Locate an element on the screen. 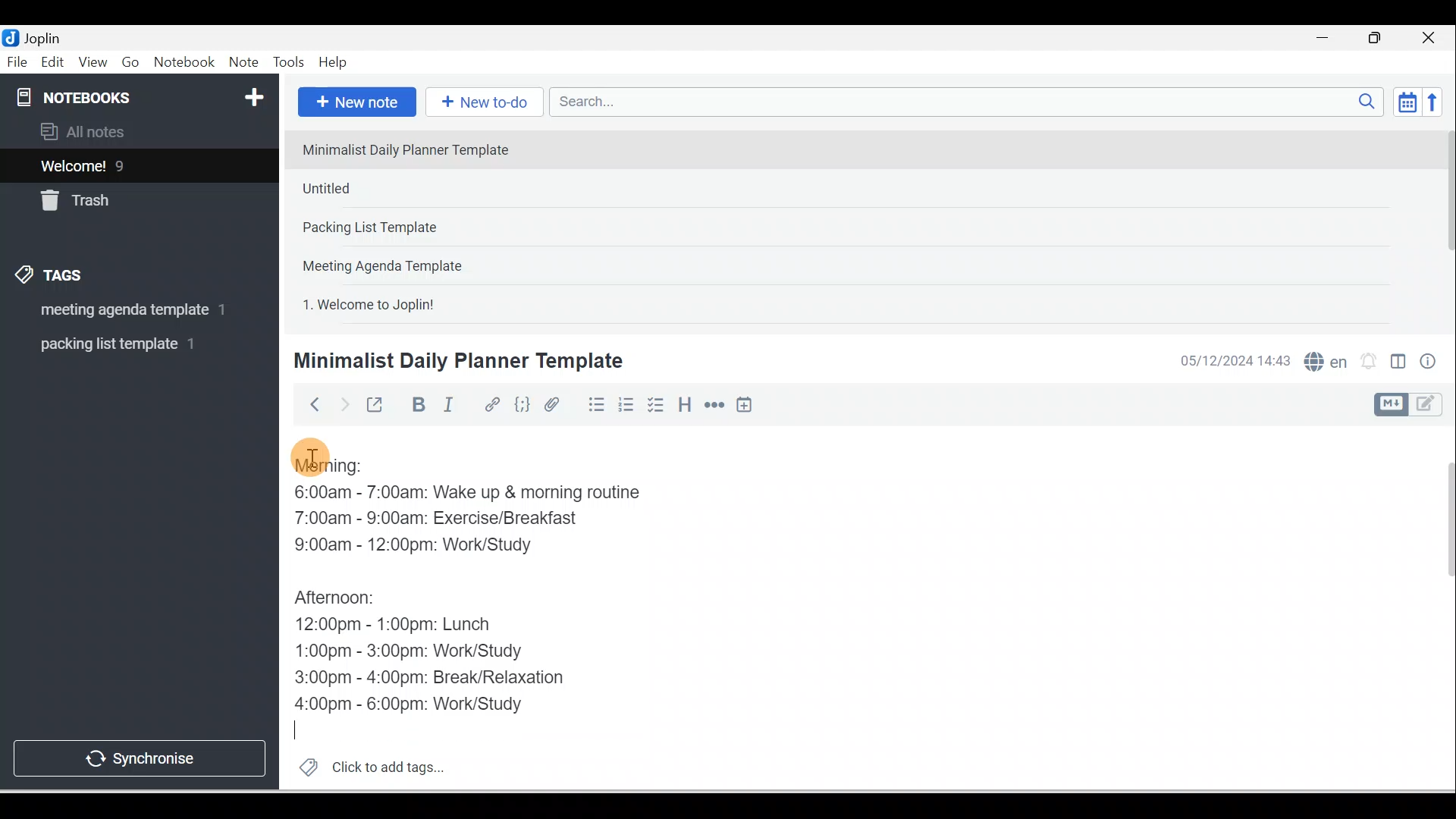 The height and width of the screenshot is (819, 1456). Toggle editor layout is located at coordinates (1414, 405).